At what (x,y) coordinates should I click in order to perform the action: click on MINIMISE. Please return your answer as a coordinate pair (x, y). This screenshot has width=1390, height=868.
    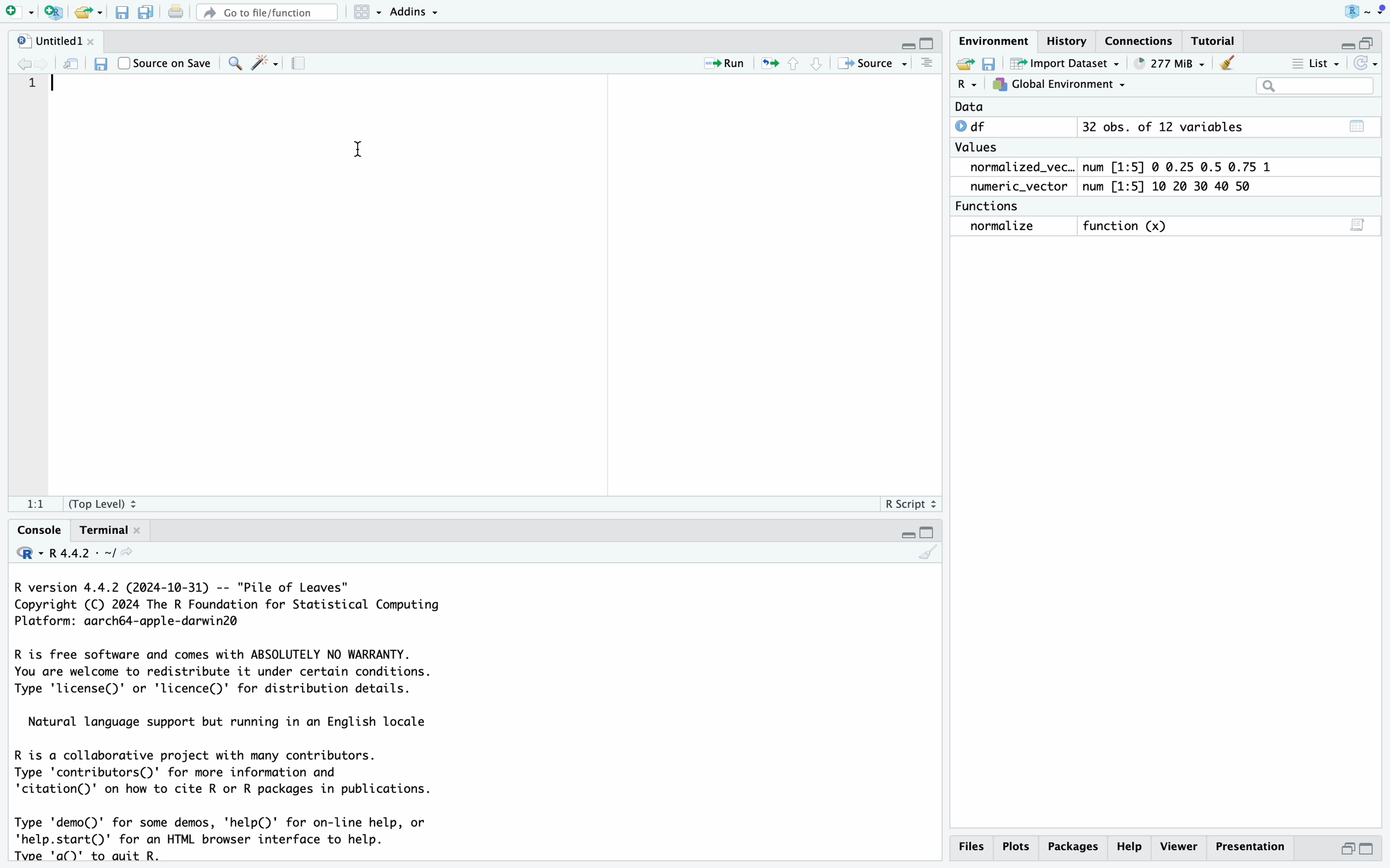
    Looking at the image, I should click on (1343, 42).